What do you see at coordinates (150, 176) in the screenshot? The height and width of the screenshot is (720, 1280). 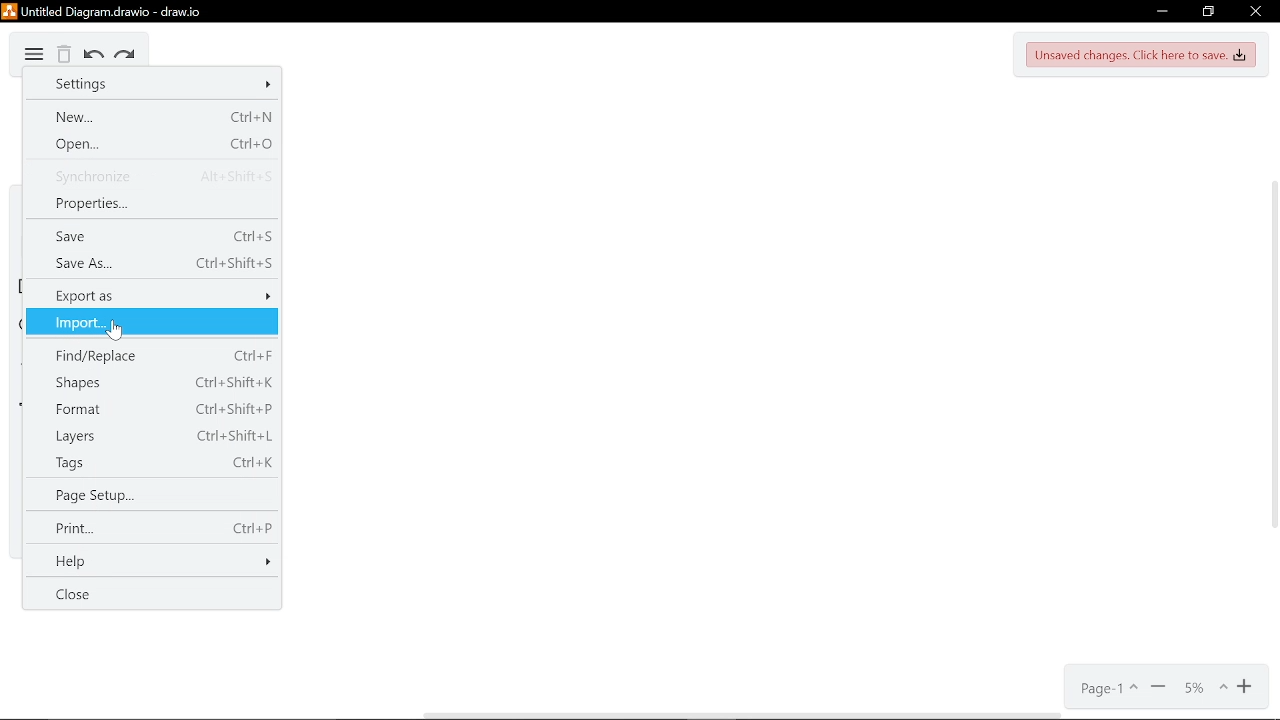 I see `synchronize` at bounding box center [150, 176].